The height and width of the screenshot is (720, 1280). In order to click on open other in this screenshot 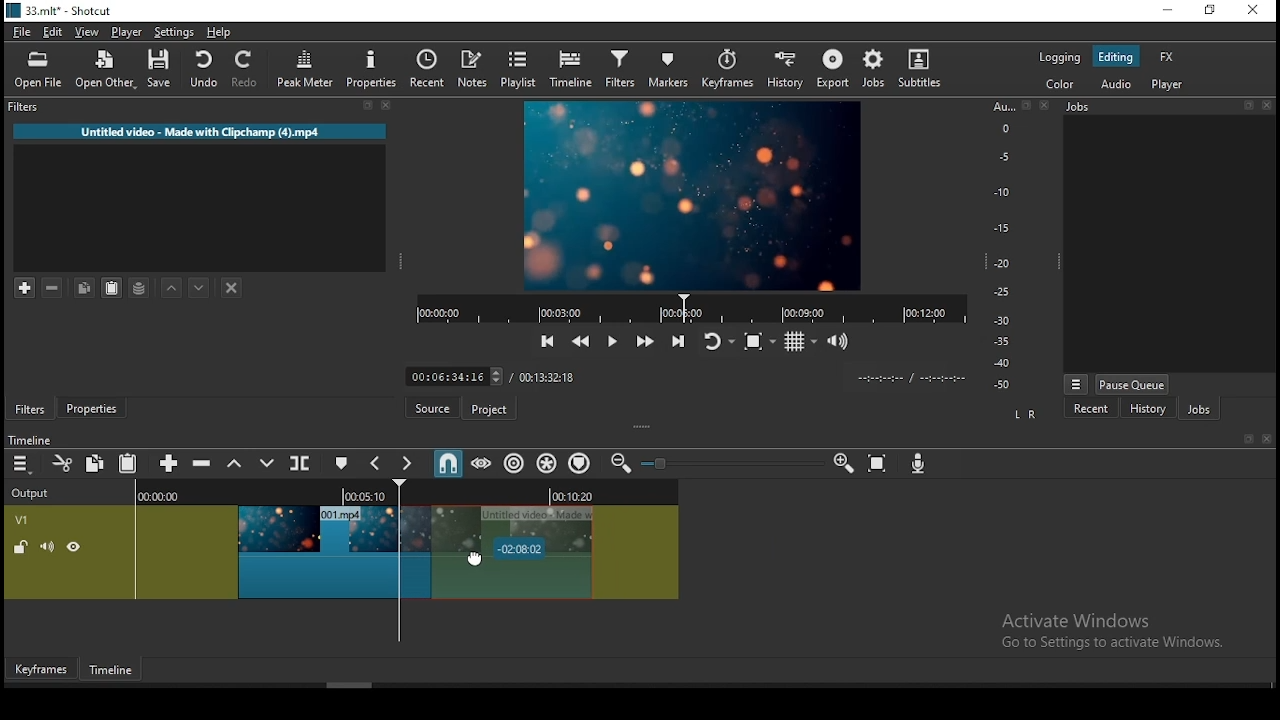, I will do `click(107, 74)`.